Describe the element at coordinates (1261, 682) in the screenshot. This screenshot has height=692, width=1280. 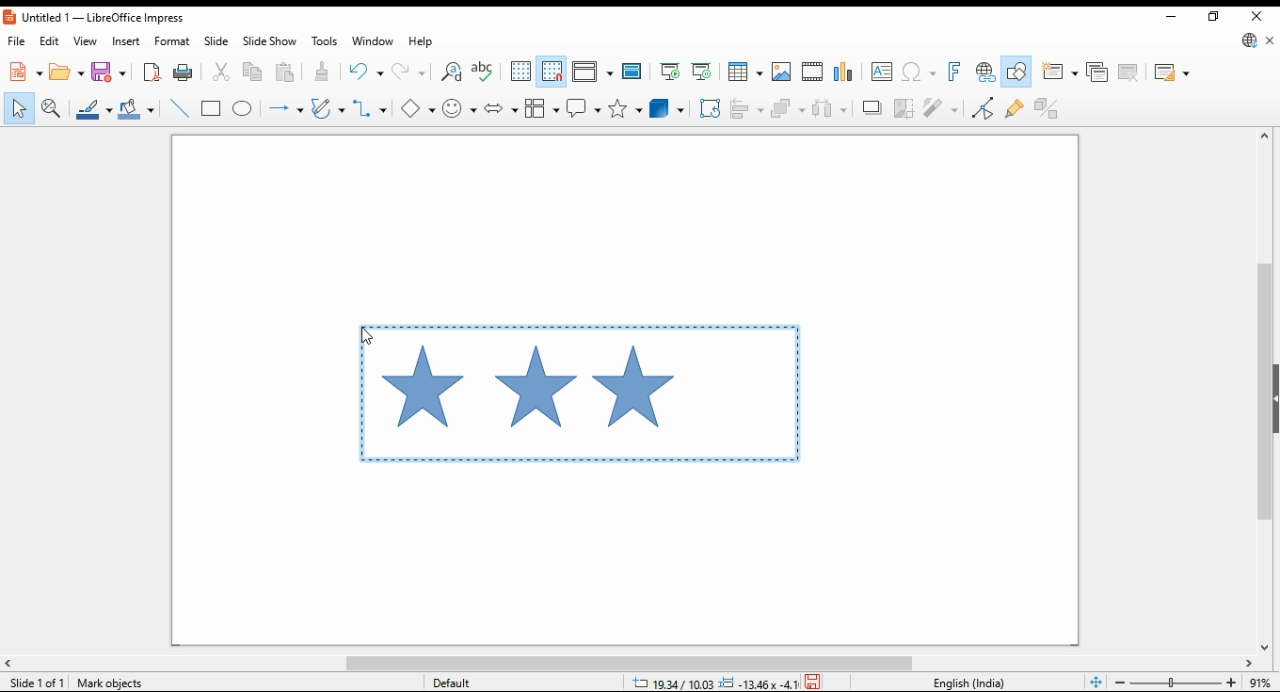
I see `zoom factor` at that location.